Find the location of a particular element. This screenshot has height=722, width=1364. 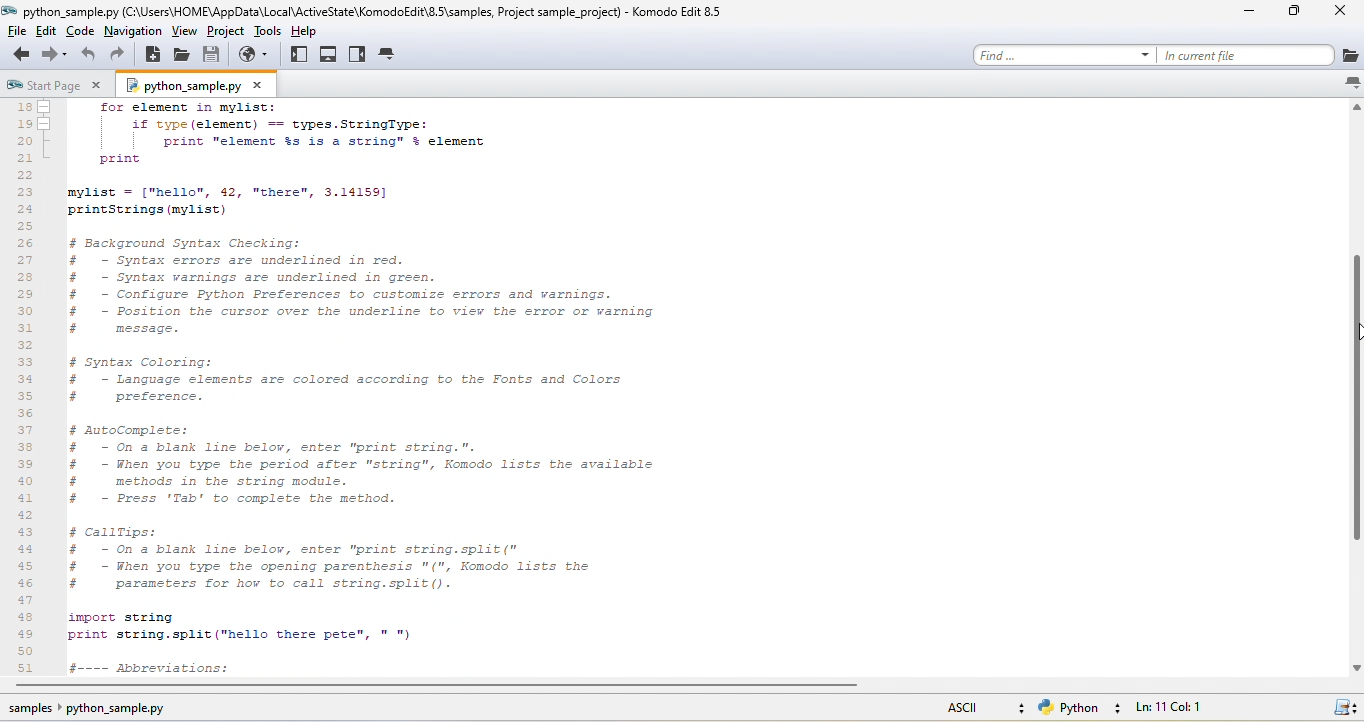

maximize is located at coordinates (1301, 14).